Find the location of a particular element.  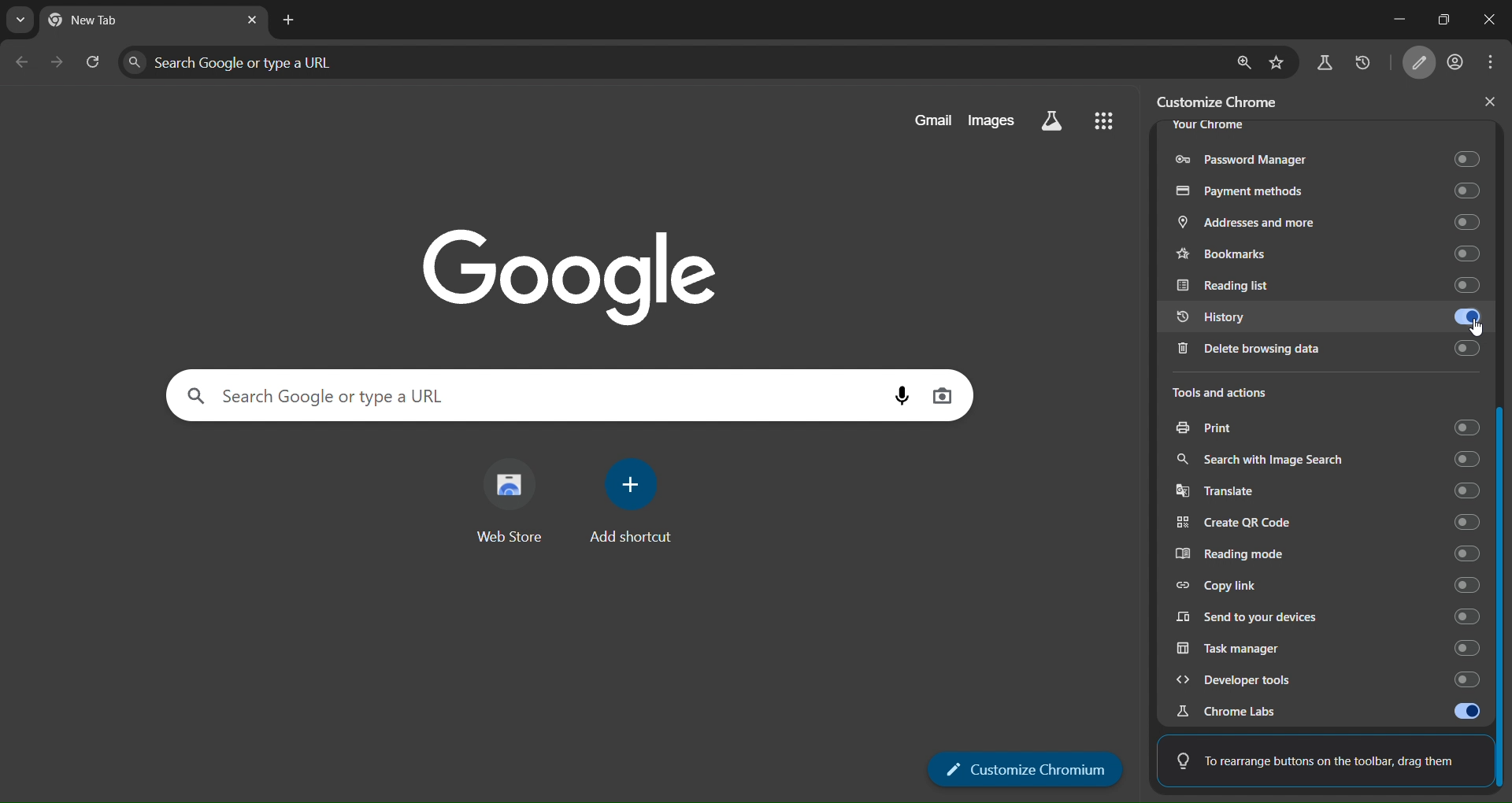

print is located at coordinates (1326, 430).